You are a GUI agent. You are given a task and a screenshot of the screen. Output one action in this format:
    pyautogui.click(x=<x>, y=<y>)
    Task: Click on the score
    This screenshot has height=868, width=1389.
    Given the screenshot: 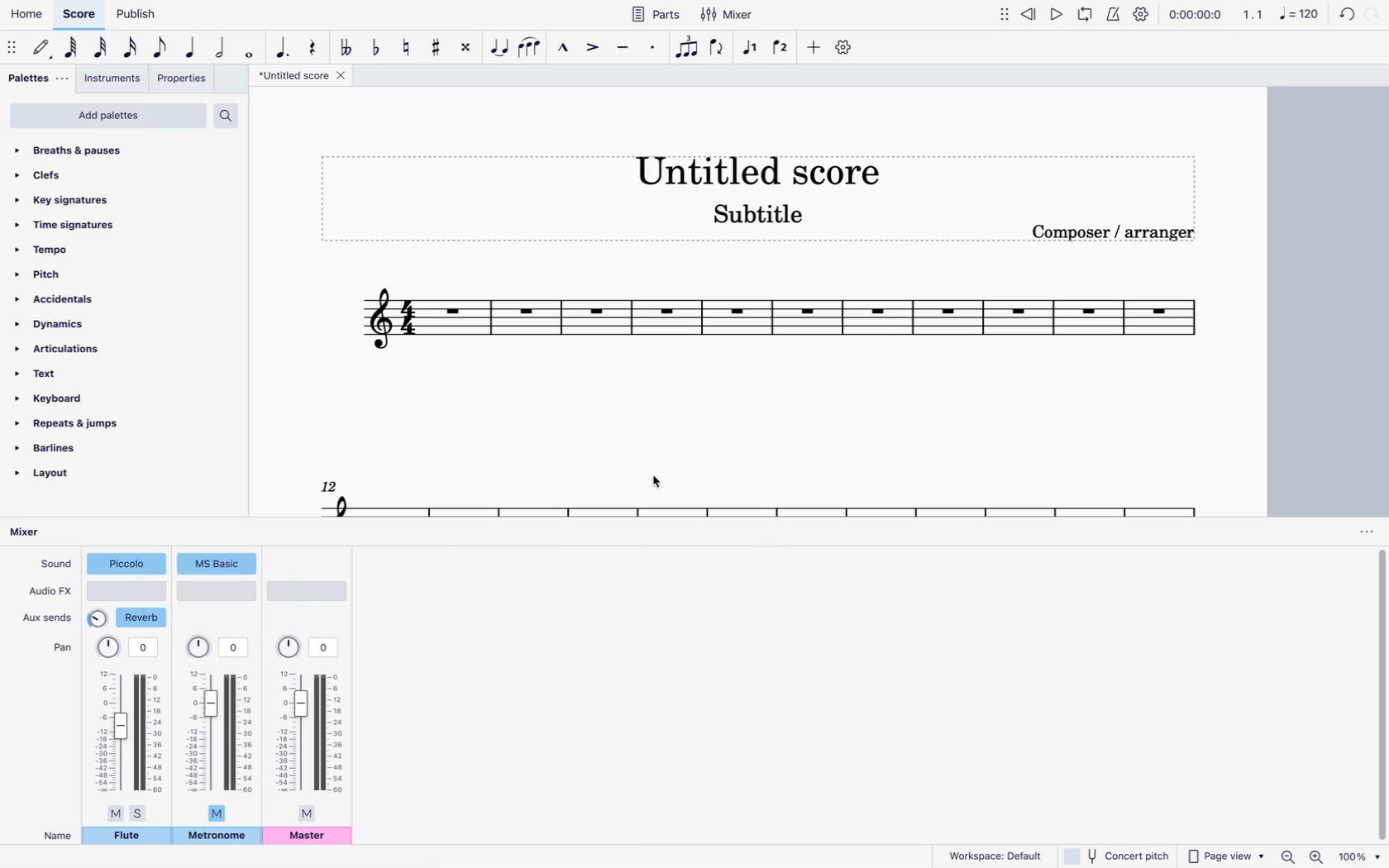 What is the action you would take?
    pyautogui.click(x=79, y=15)
    